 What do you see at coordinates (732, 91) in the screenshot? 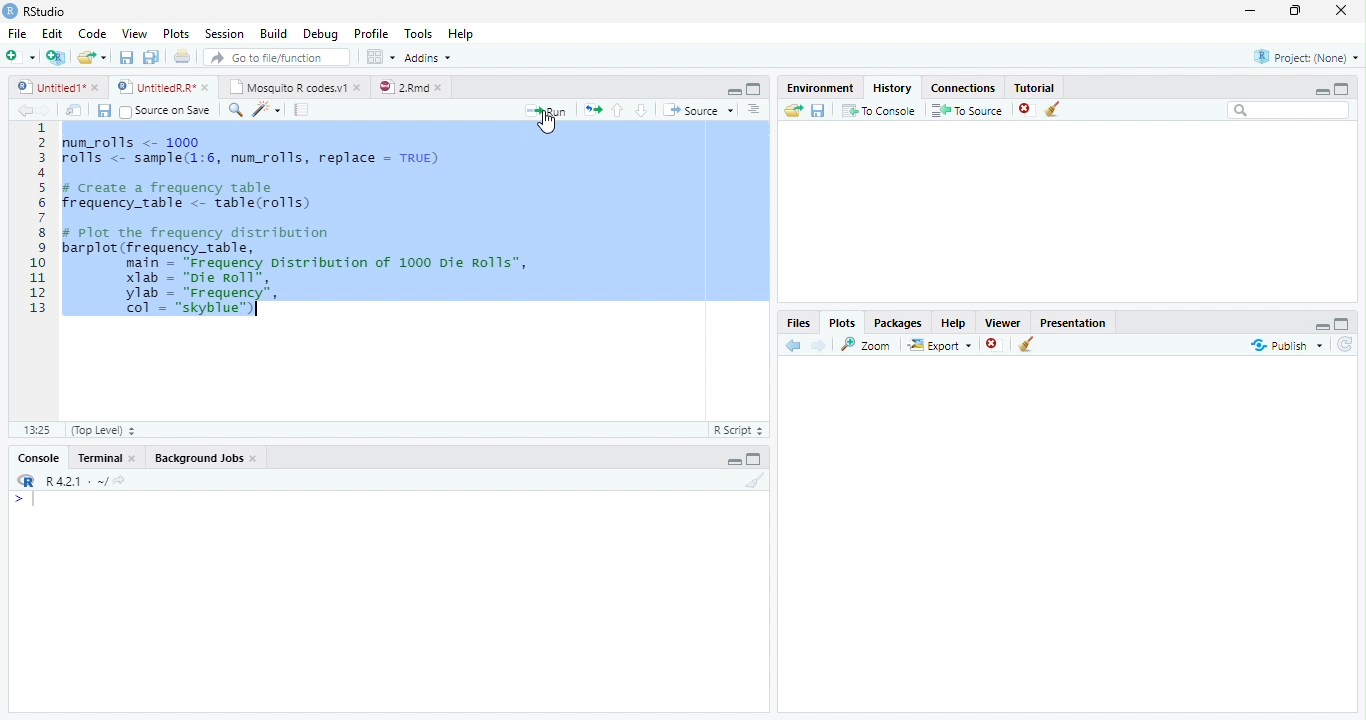
I see `Hide` at bounding box center [732, 91].